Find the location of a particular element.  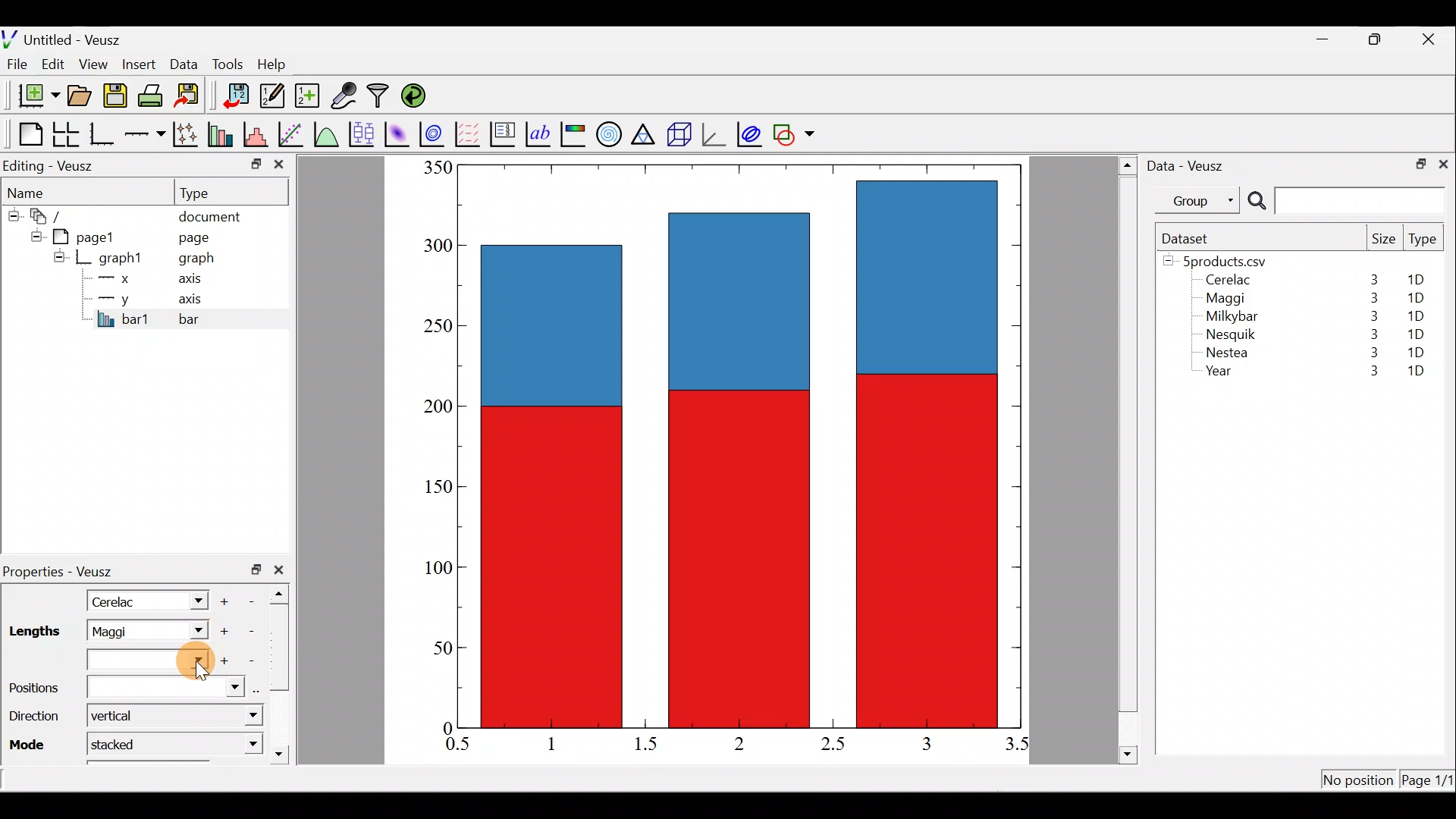

Dataset is located at coordinates (1191, 238).